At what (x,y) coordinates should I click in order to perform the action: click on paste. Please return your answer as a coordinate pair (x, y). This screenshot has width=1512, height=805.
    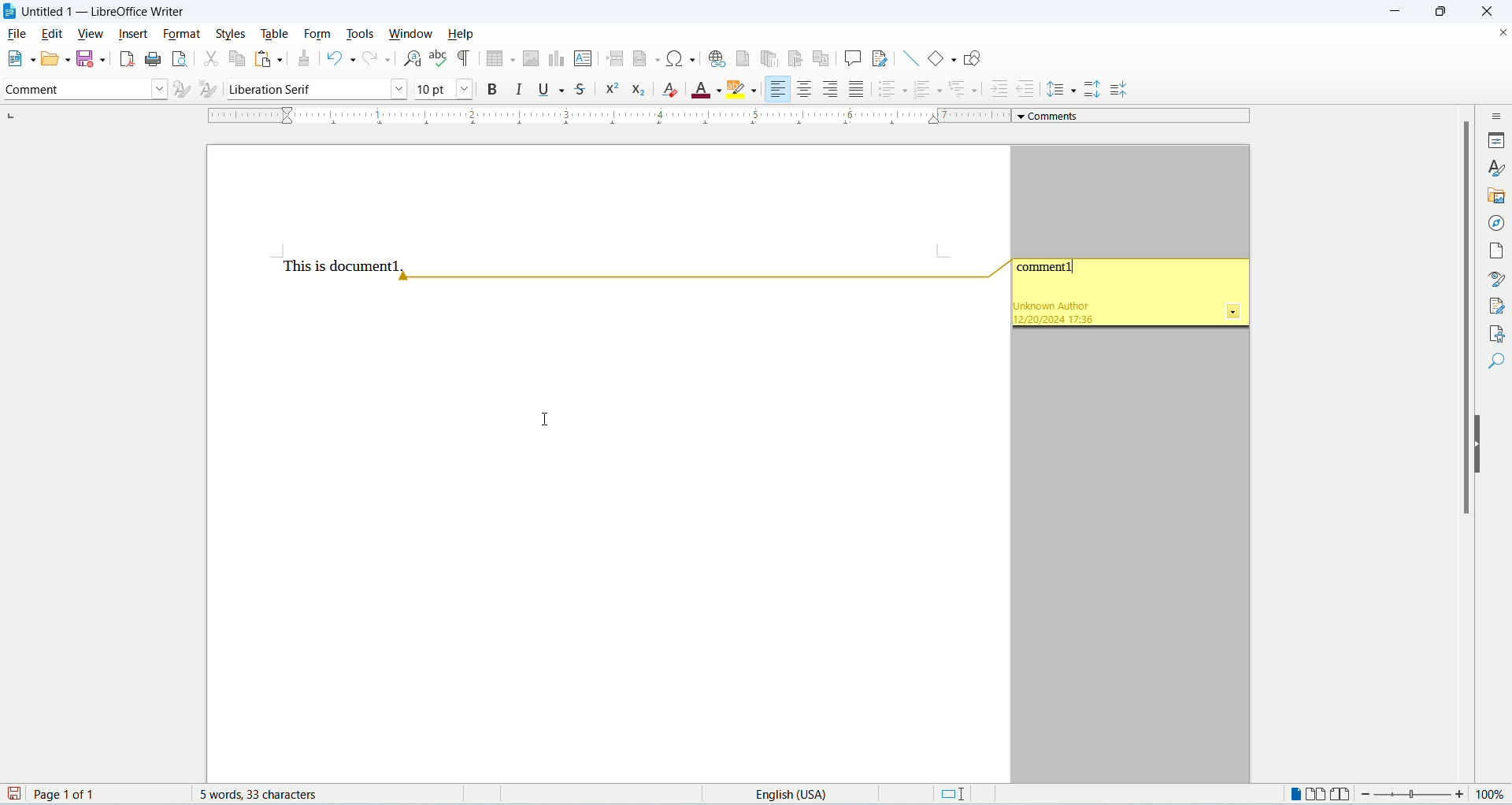
    Looking at the image, I should click on (270, 58).